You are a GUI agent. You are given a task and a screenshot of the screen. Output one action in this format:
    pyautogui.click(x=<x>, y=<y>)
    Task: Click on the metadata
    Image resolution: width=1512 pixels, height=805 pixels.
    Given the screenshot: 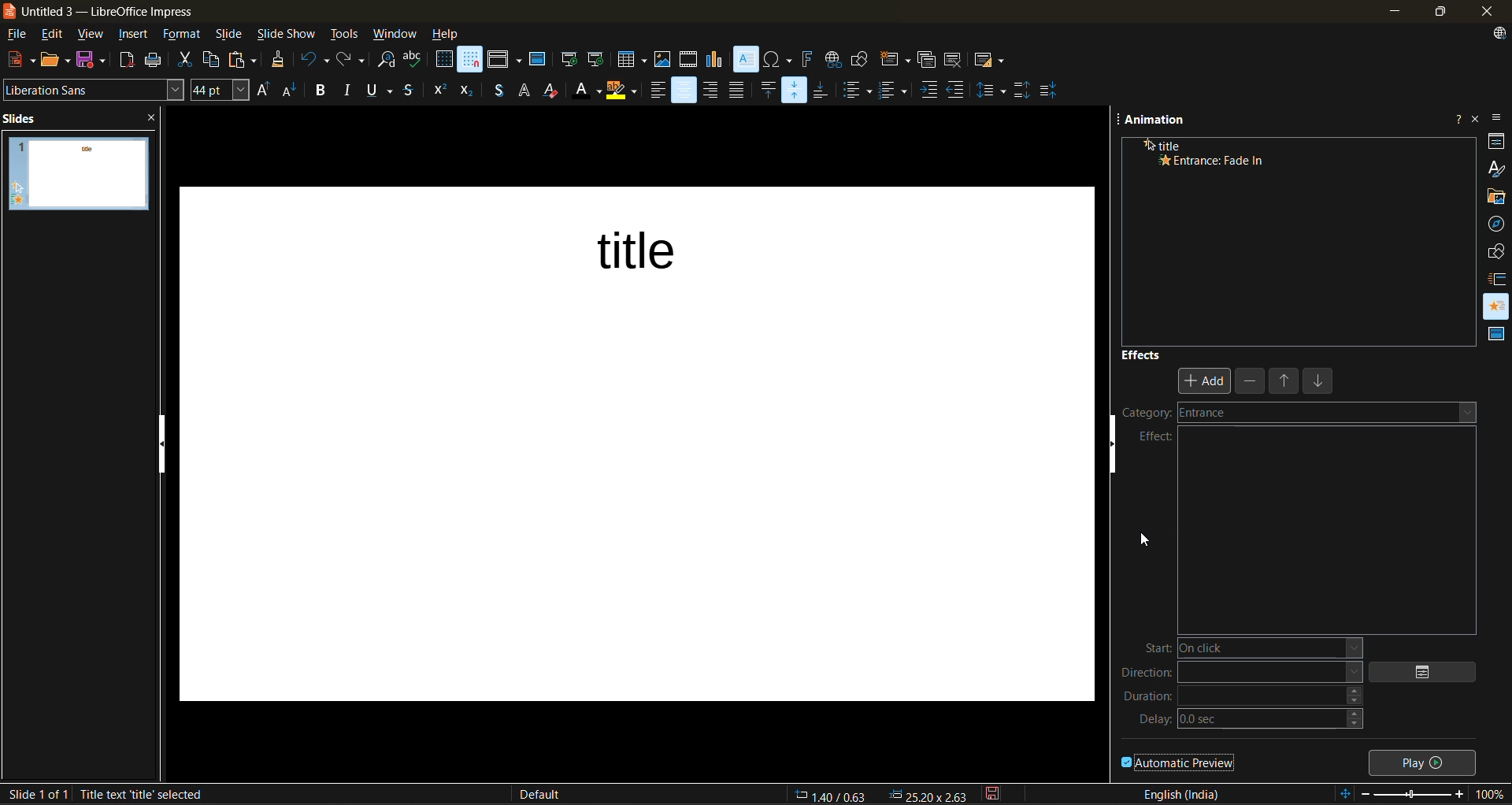 What is the action you would take?
    pyautogui.click(x=193, y=794)
    